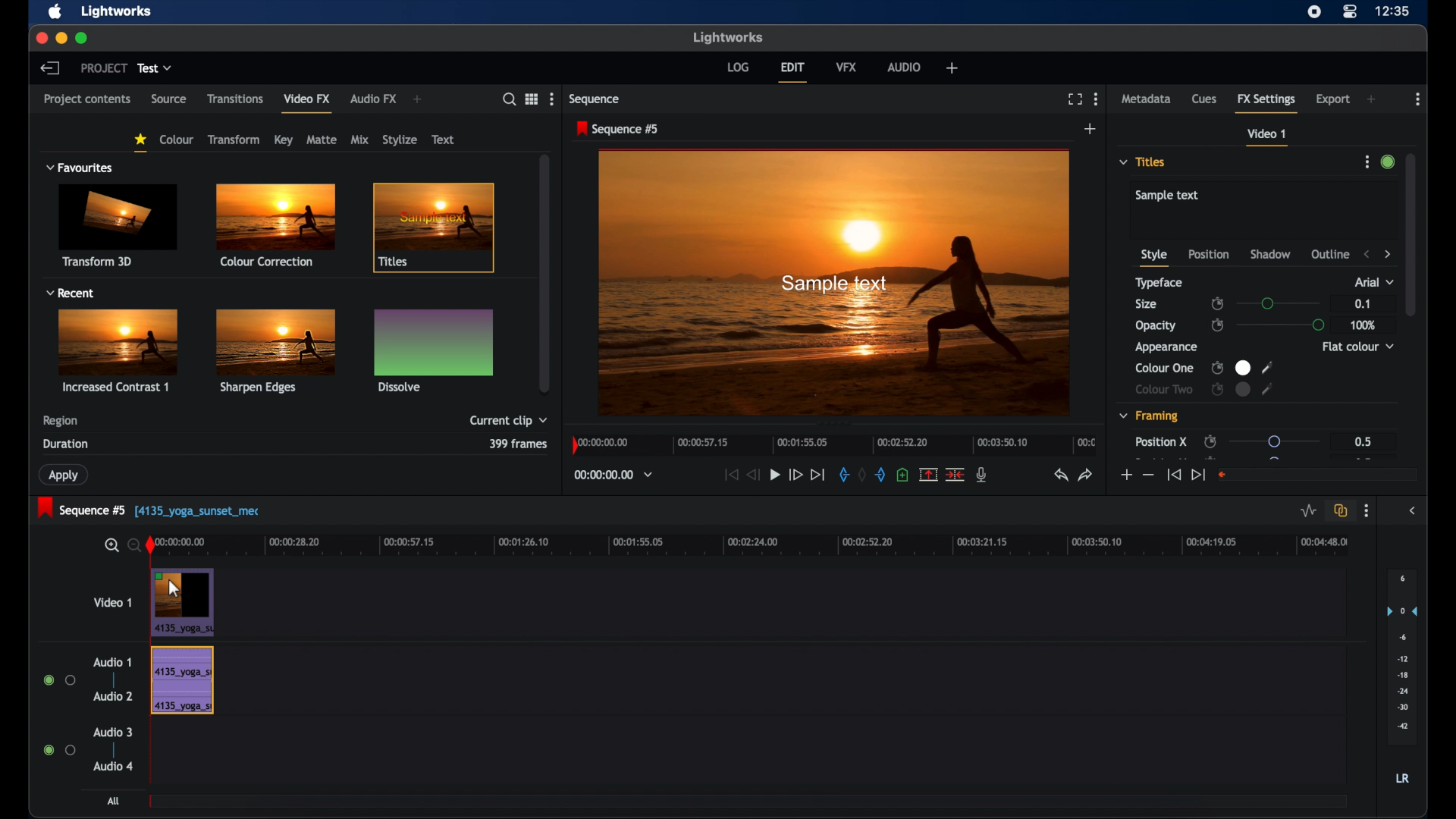  What do you see at coordinates (155, 68) in the screenshot?
I see `test dropdown` at bounding box center [155, 68].